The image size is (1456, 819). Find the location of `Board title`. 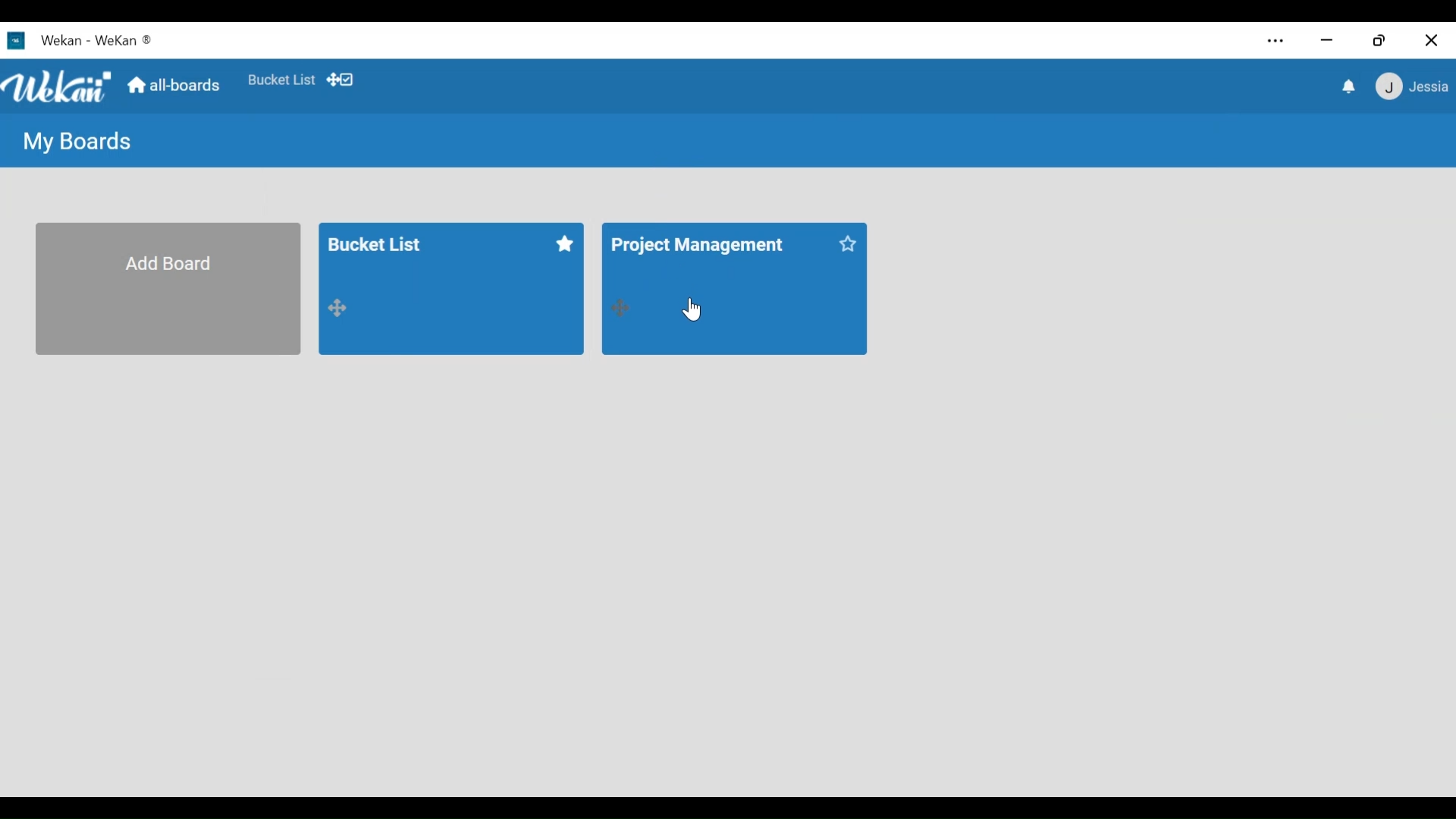

Board title is located at coordinates (389, 247).